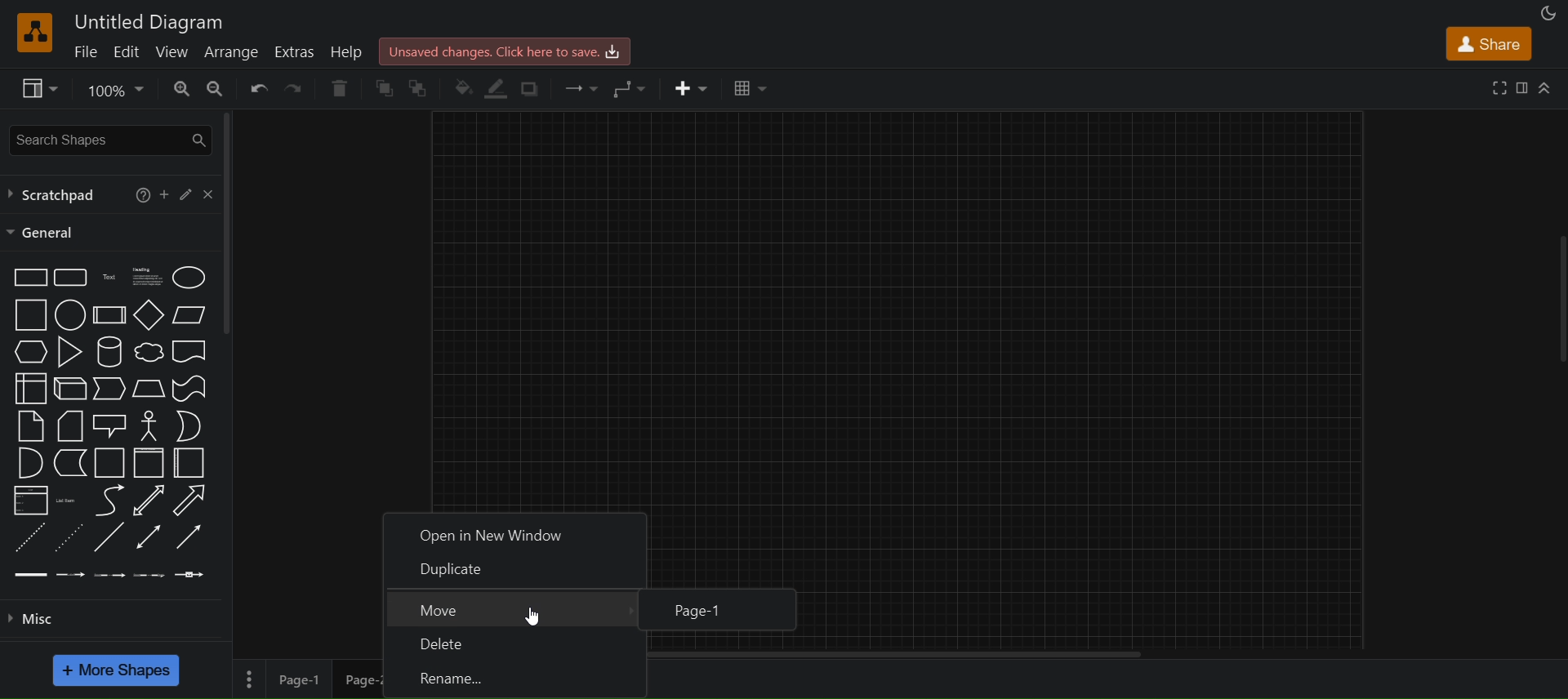 The width and height of the screenshot is (1568, 699). Describe the element at coordinates (189, 277) in the screenshot. I see `ellipse` at that location.